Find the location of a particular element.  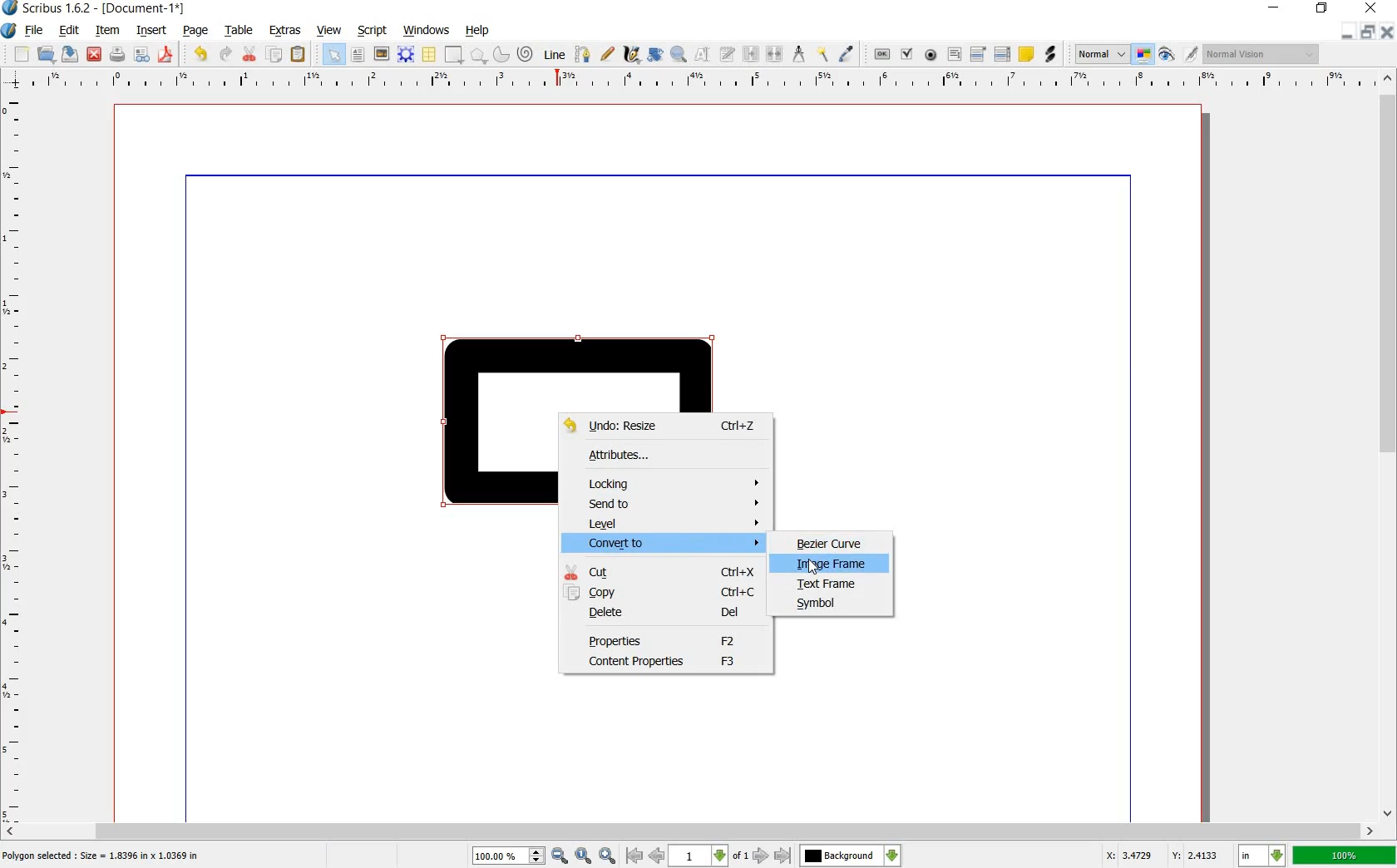

undo is located at coordinates (201, 53).